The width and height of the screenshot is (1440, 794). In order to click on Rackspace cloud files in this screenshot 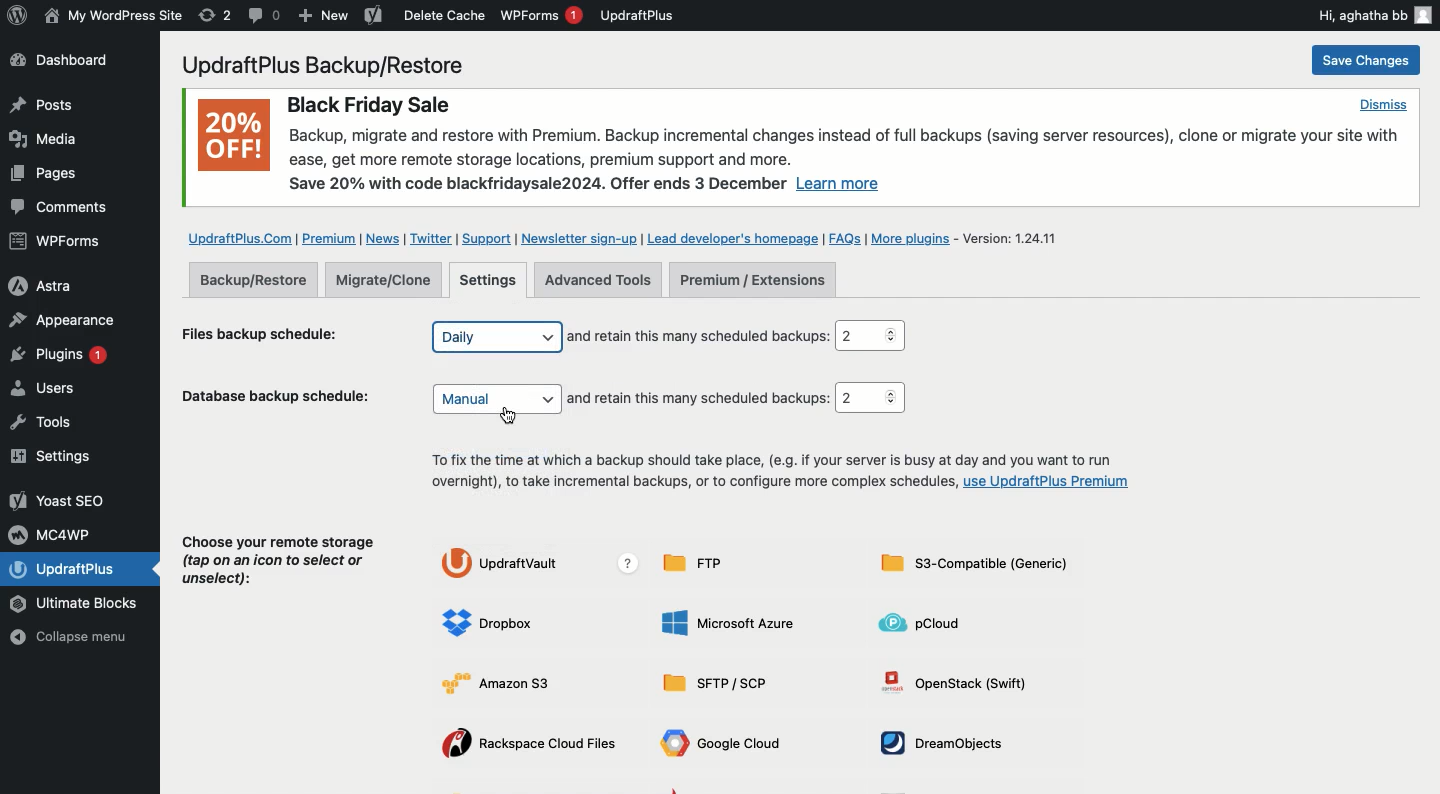, I will do `click(534, 745)`.